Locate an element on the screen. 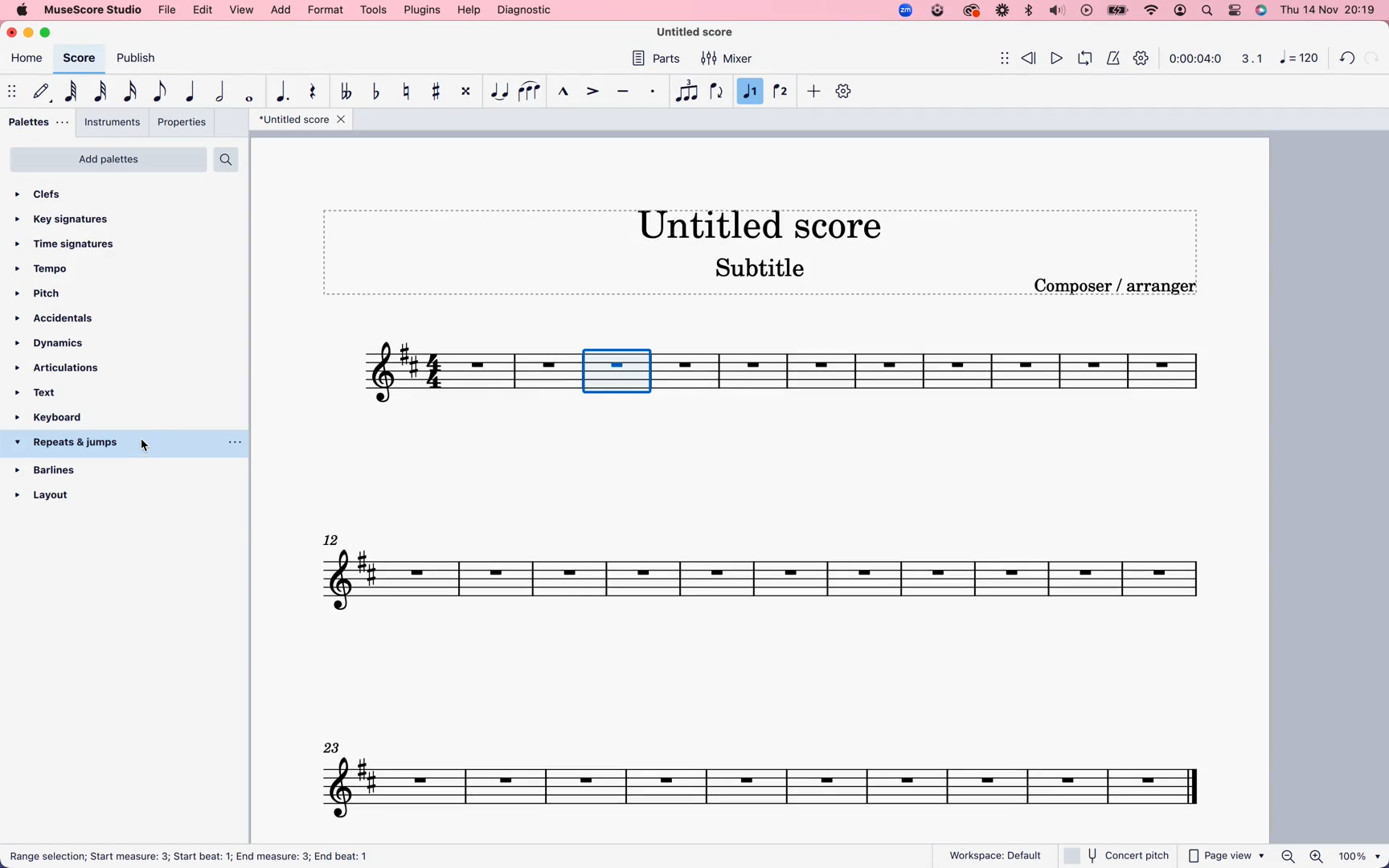 The image size is (1389, 868). back is located at coordinates (1349, 55).